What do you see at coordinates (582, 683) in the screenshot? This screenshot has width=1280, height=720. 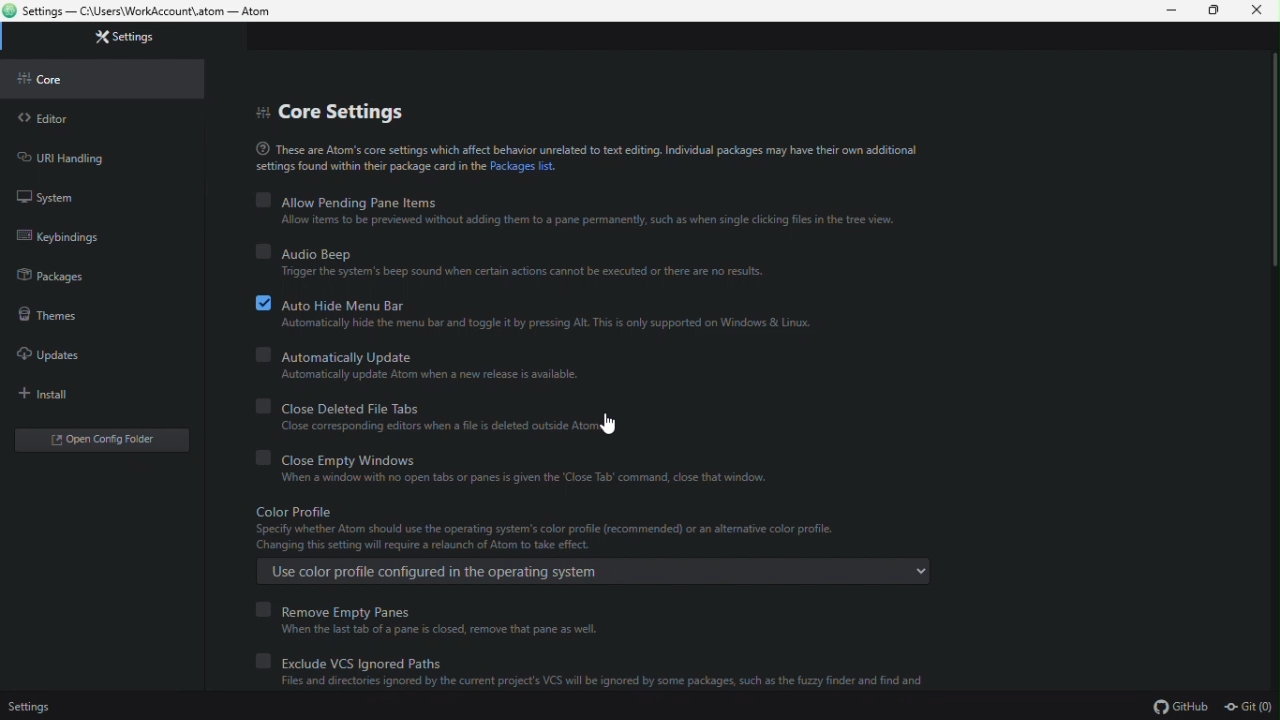 I see `Files and directories ignored by the current project's VCS wil be ignored by some packages, such as the fuzzy finder and find and` at bounding box center [582, 683].